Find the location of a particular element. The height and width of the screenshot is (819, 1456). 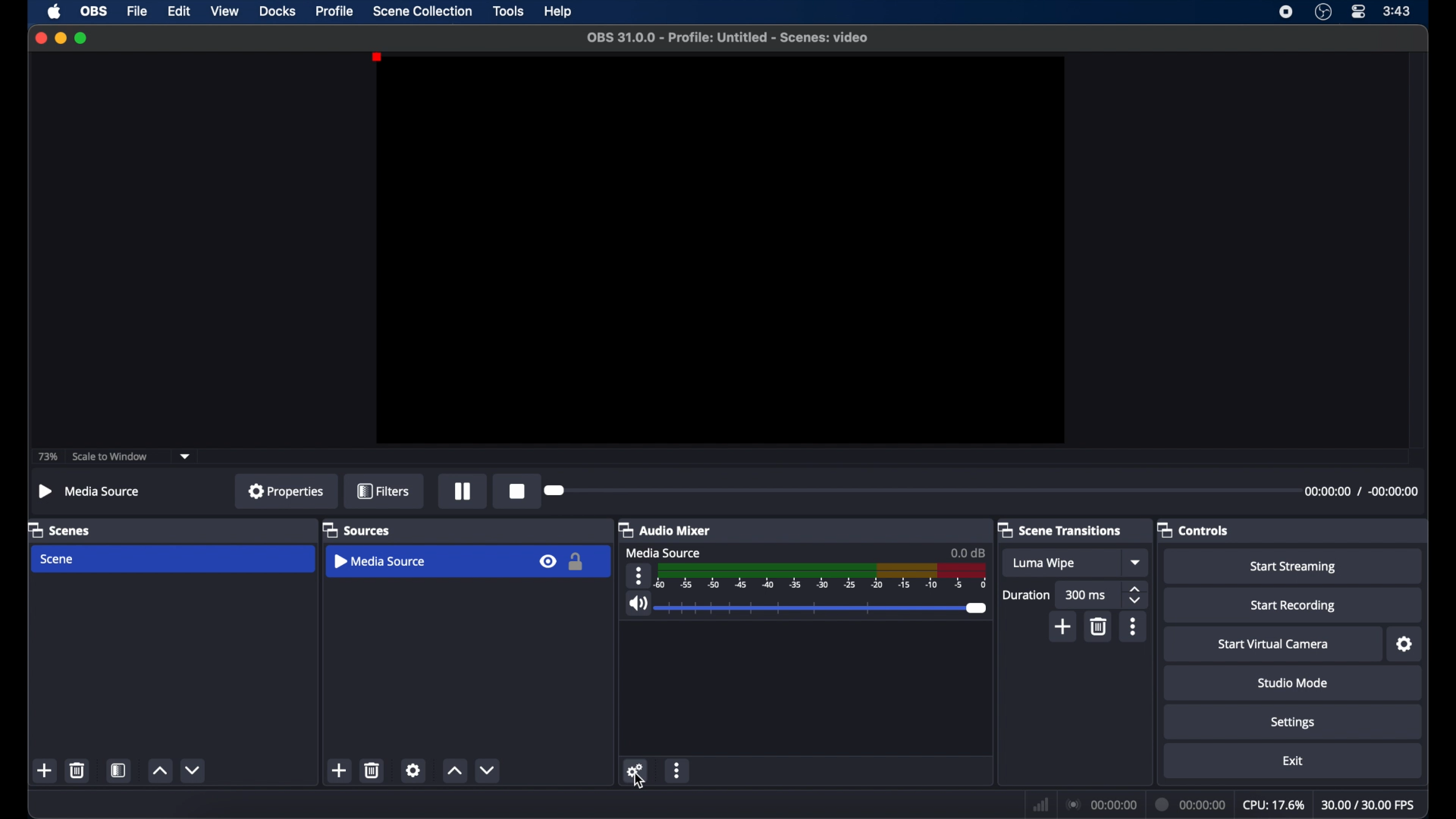

300 ms is located at coordinates (1087, 594).